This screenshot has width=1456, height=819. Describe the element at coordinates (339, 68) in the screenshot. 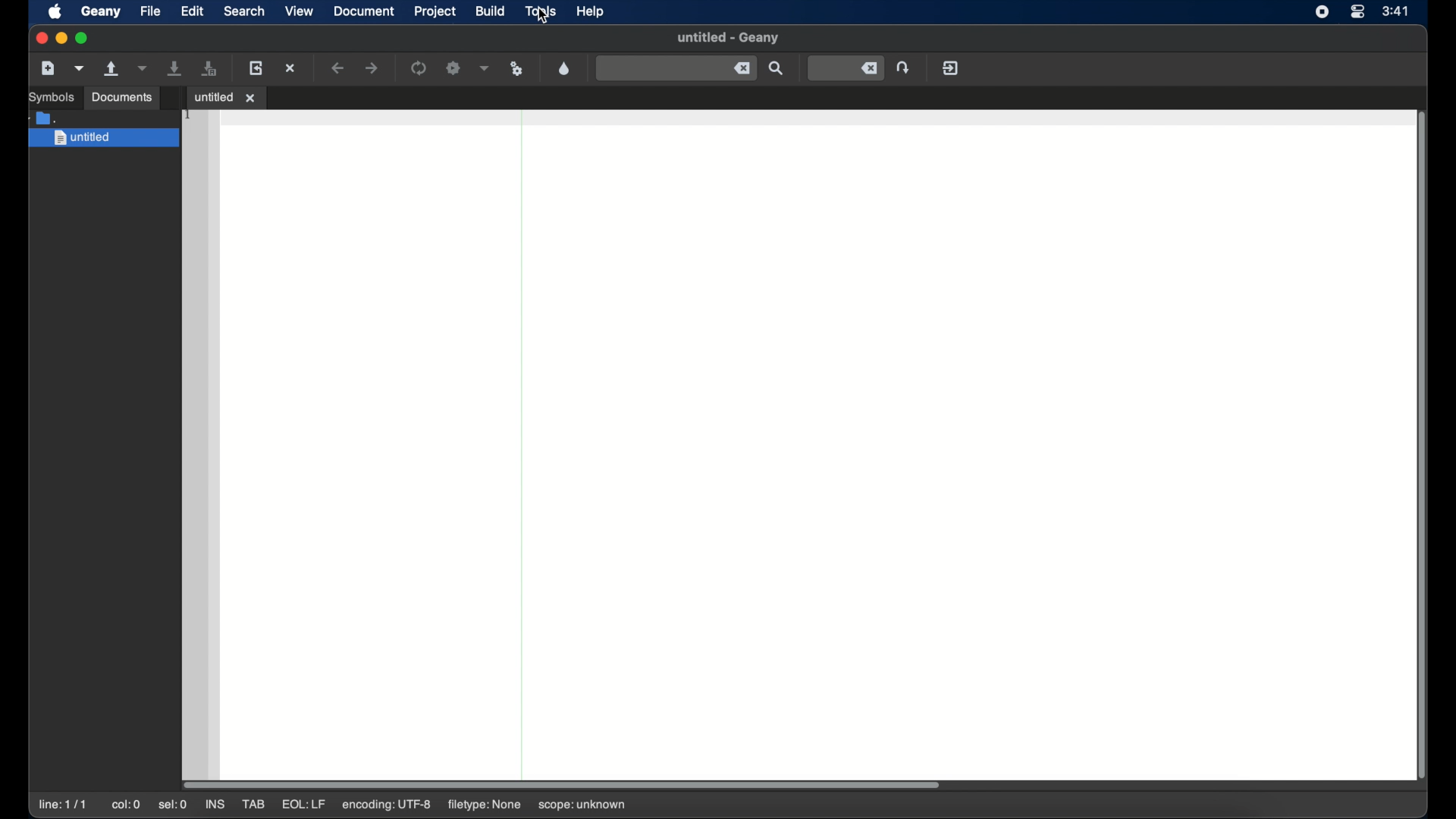

I see `navigate back a location` at that location.